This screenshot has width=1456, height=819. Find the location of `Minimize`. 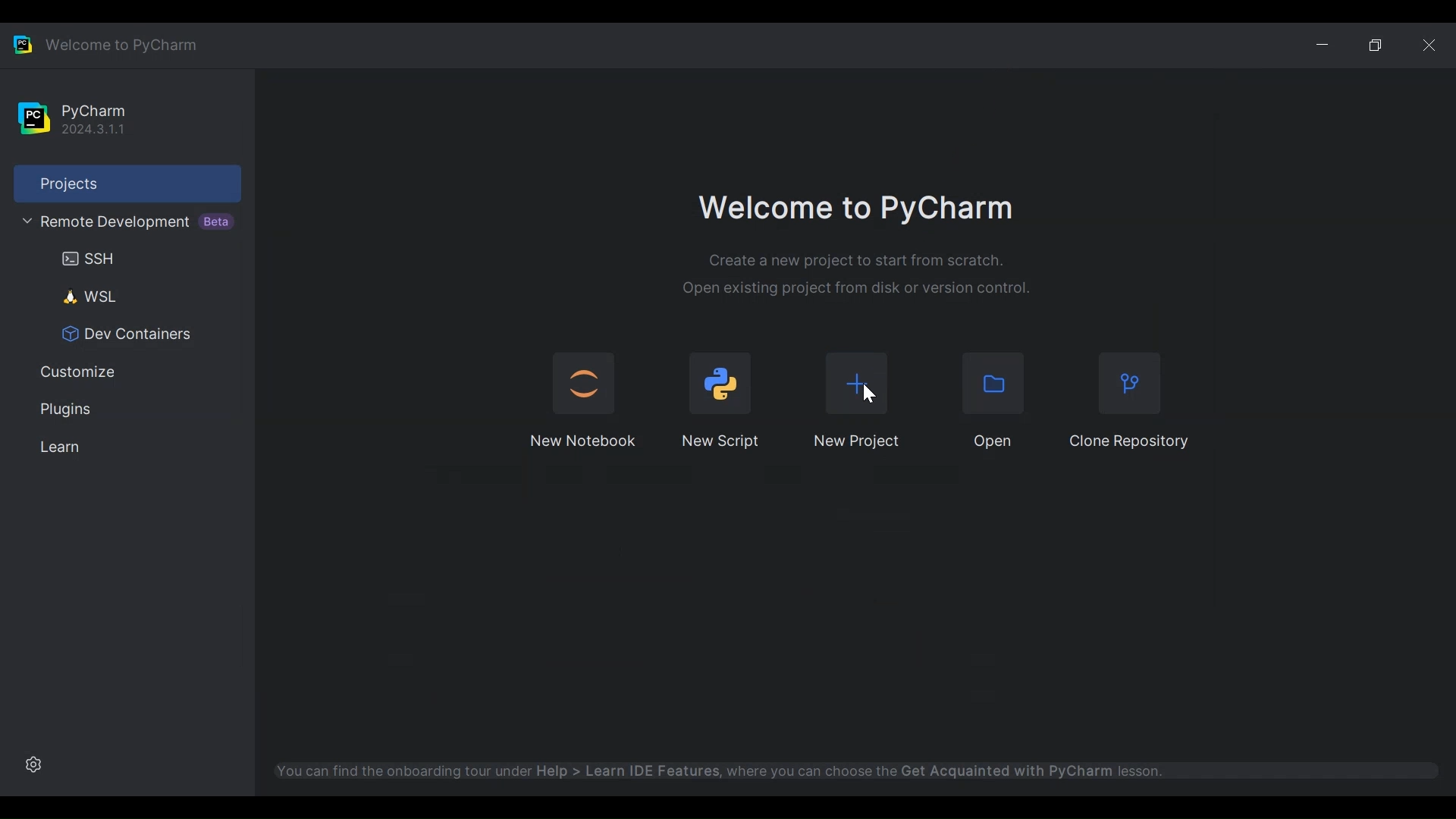

Minimize is located at coordinates (1327, 42).